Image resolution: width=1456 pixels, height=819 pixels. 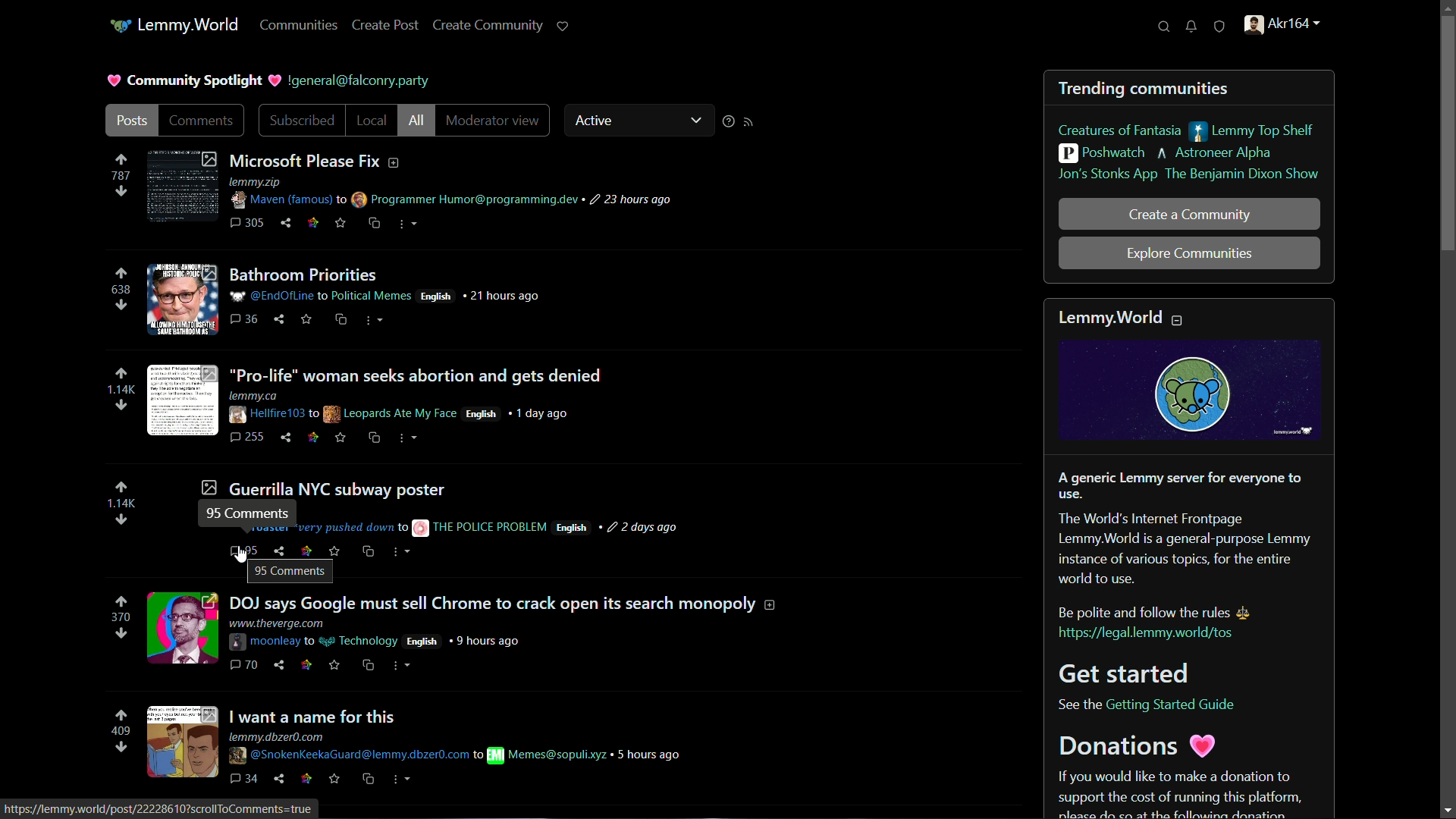 What do you see at coordinates (121, 406) in the screenshot?
I see `downvote` at bounding box center [121, 406].